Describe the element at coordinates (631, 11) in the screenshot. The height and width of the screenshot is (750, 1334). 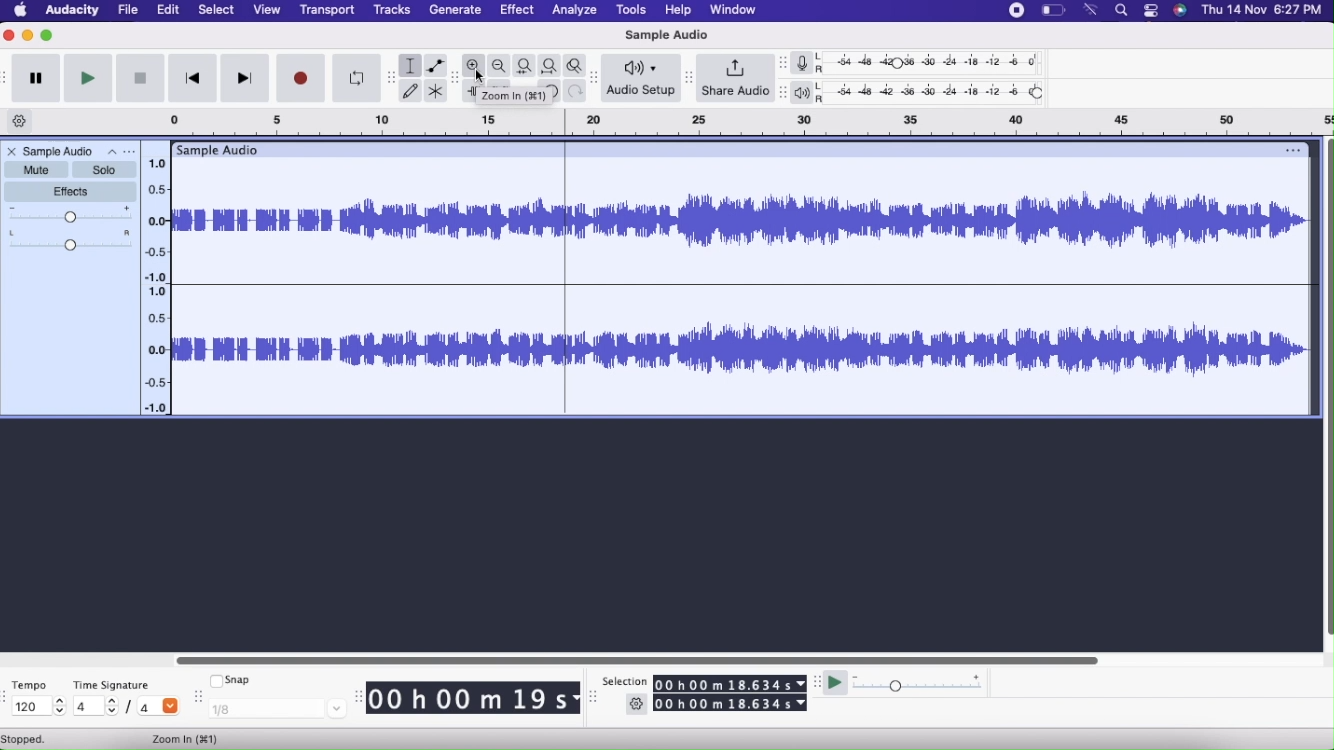
I see `Tools` at that location.